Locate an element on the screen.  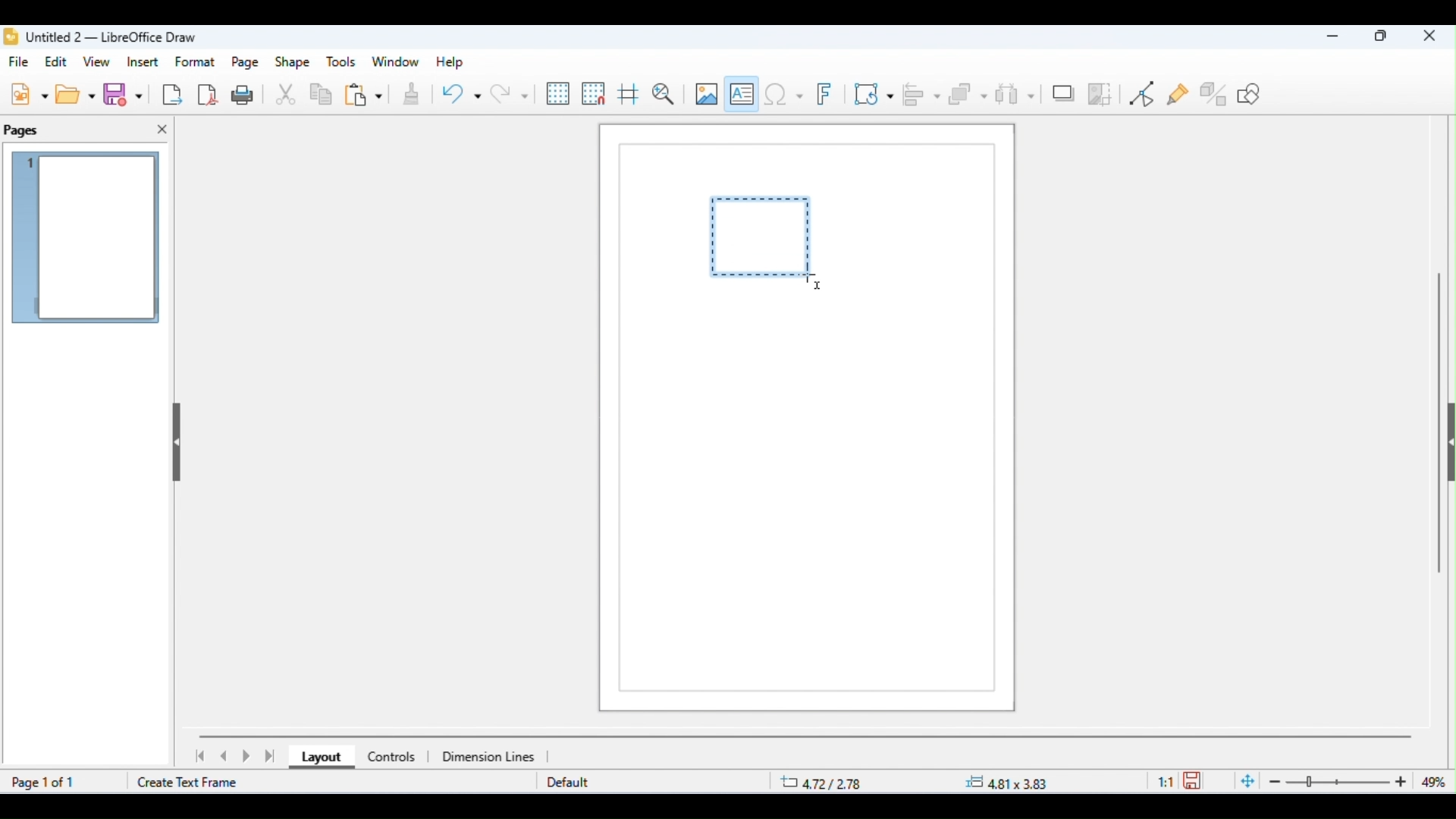
file is located at coordinates (21, 63).